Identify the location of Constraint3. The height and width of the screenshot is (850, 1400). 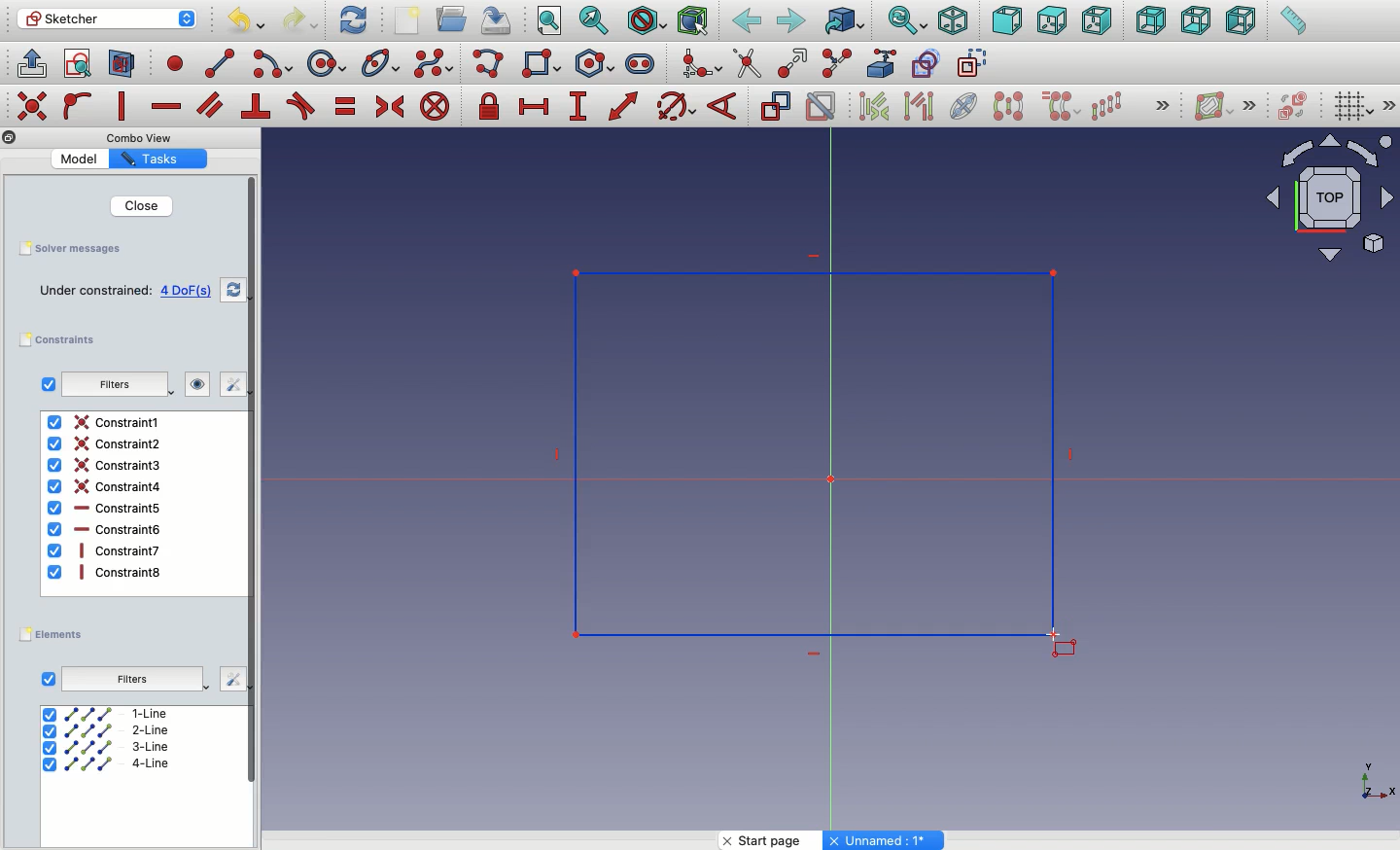
(107, 466).